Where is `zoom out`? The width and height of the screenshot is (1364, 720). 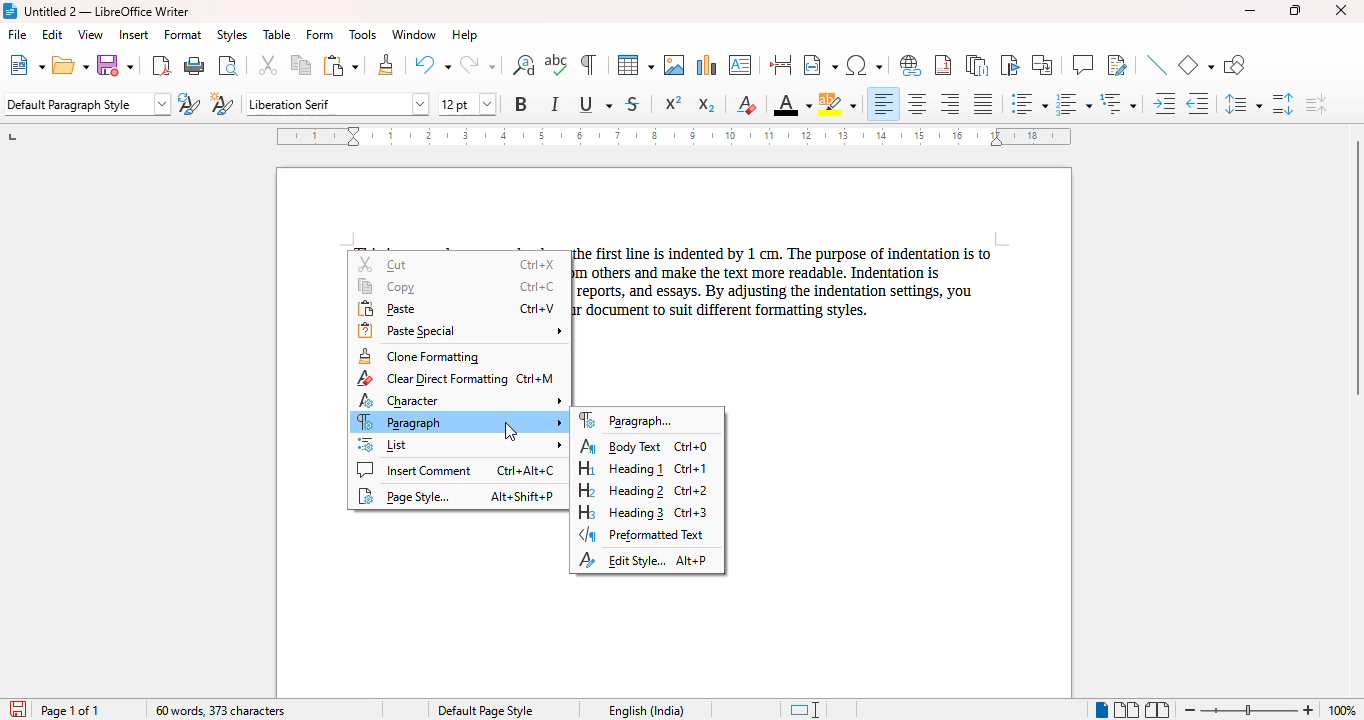 zoom out is located at coordinates (1190, 710).